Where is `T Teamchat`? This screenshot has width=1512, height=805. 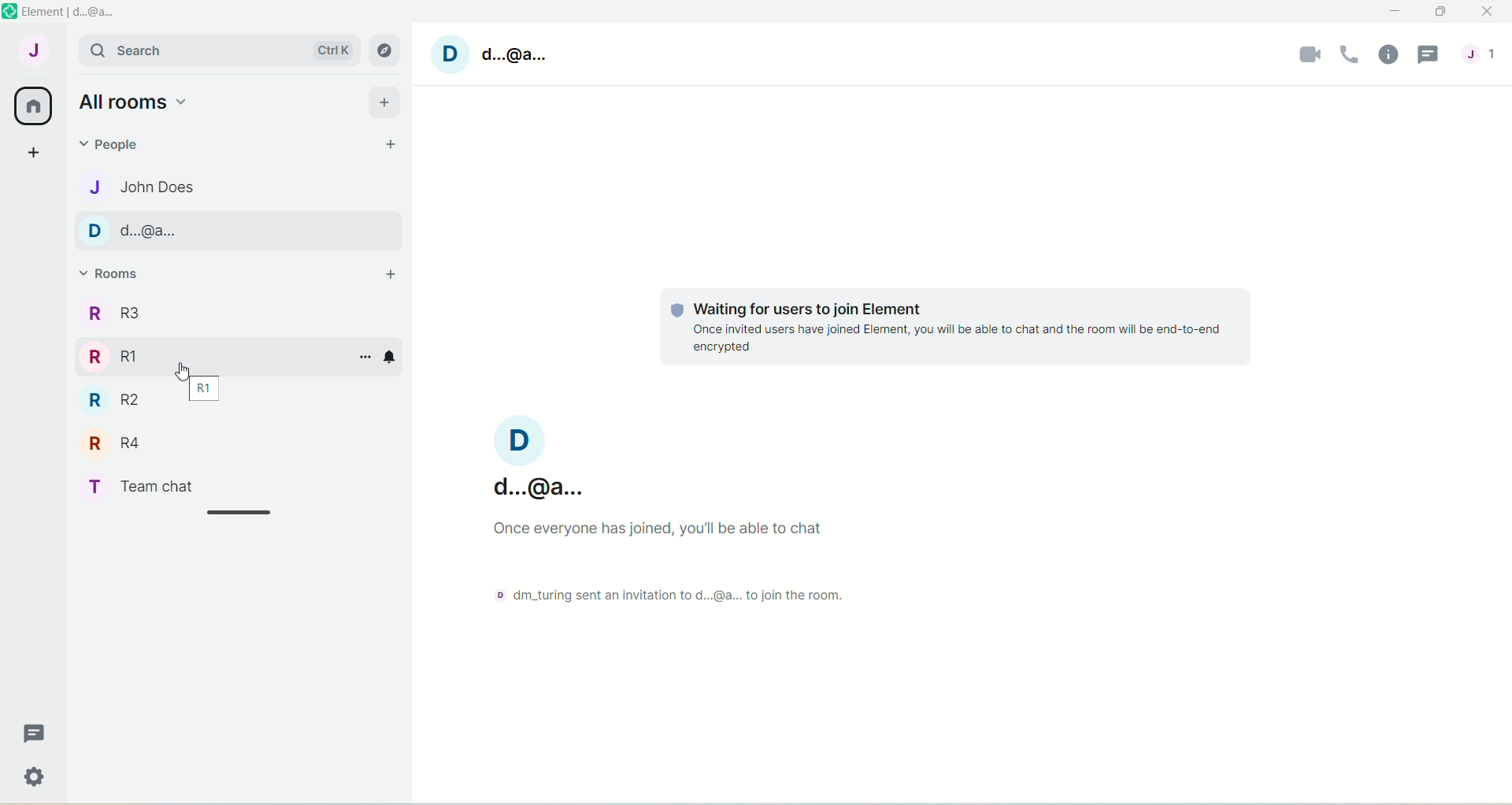
T Teamchat is located at coordinates (148, 484).